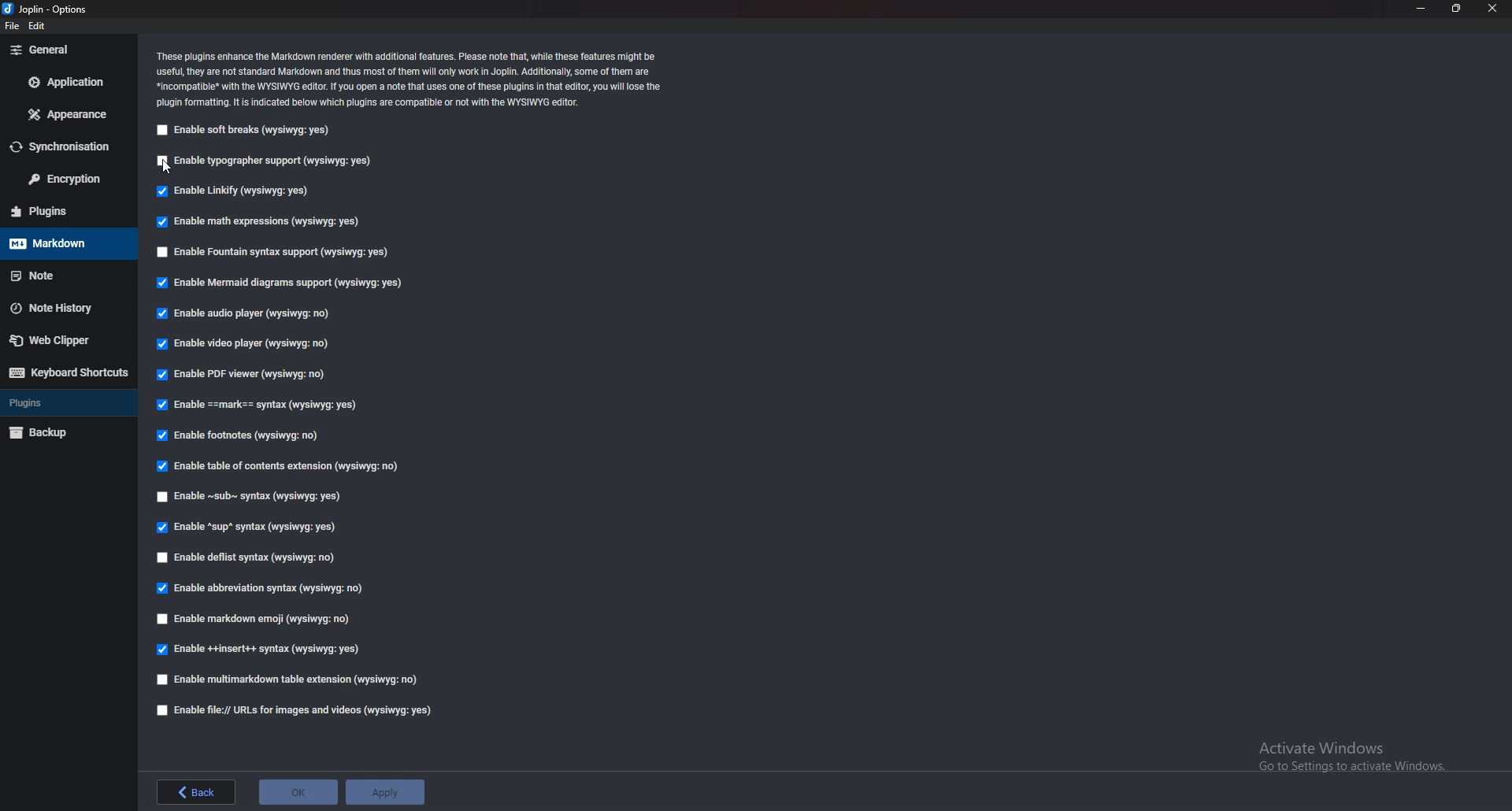 The height and width of the screenshot is (811, 1512). Describe the element at coordinates (53, 9) in the screenshot. I see `options` at that location.